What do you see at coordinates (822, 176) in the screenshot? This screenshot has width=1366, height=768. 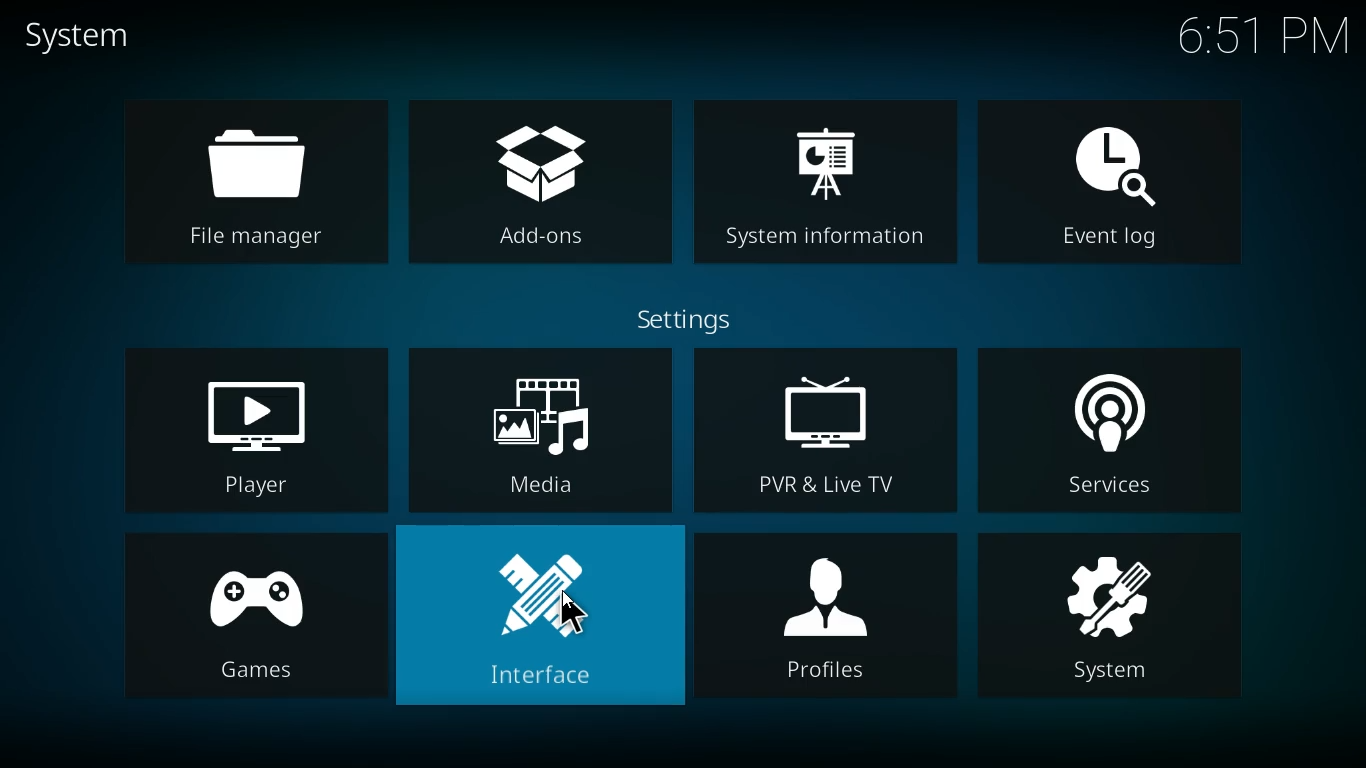 I see `system information` at bounding box center [822, 176].